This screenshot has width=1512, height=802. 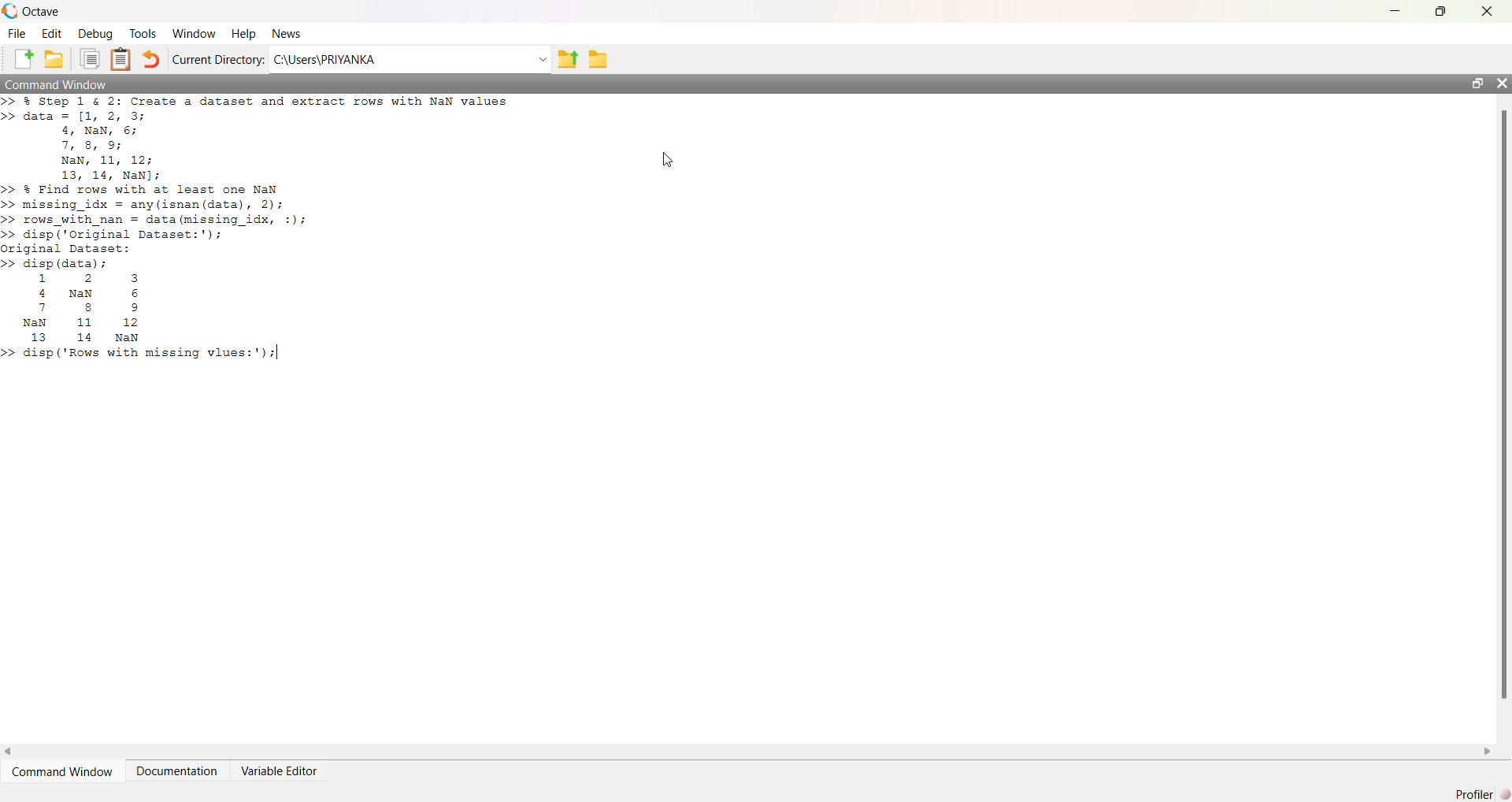 What do you see at coordinates (541, 60) in the screenshot?
I see `dropdown` at bounding box center [541, 60].